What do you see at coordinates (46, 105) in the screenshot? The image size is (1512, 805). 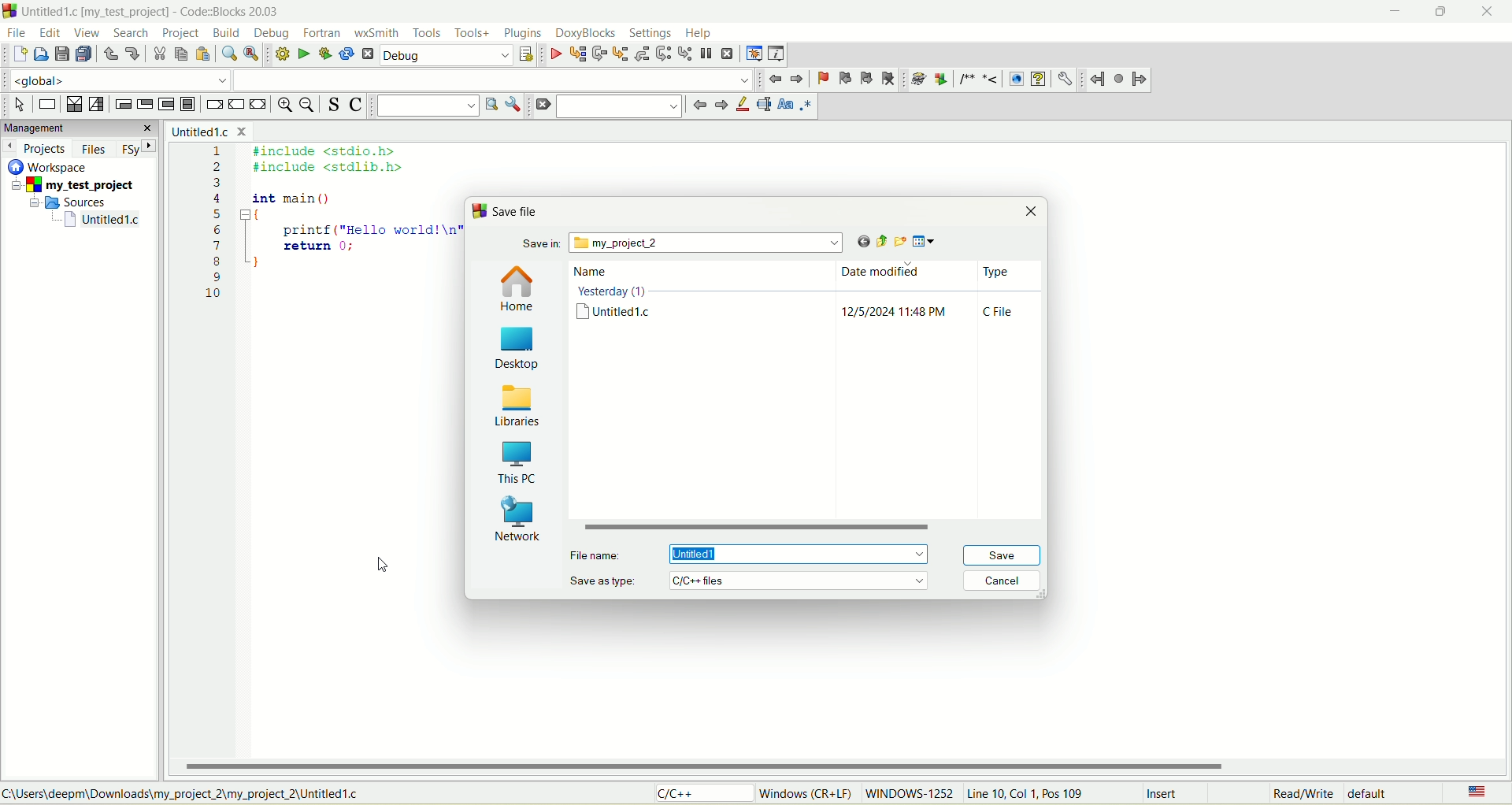 I see `instruction` at bounding box center [46, 105].